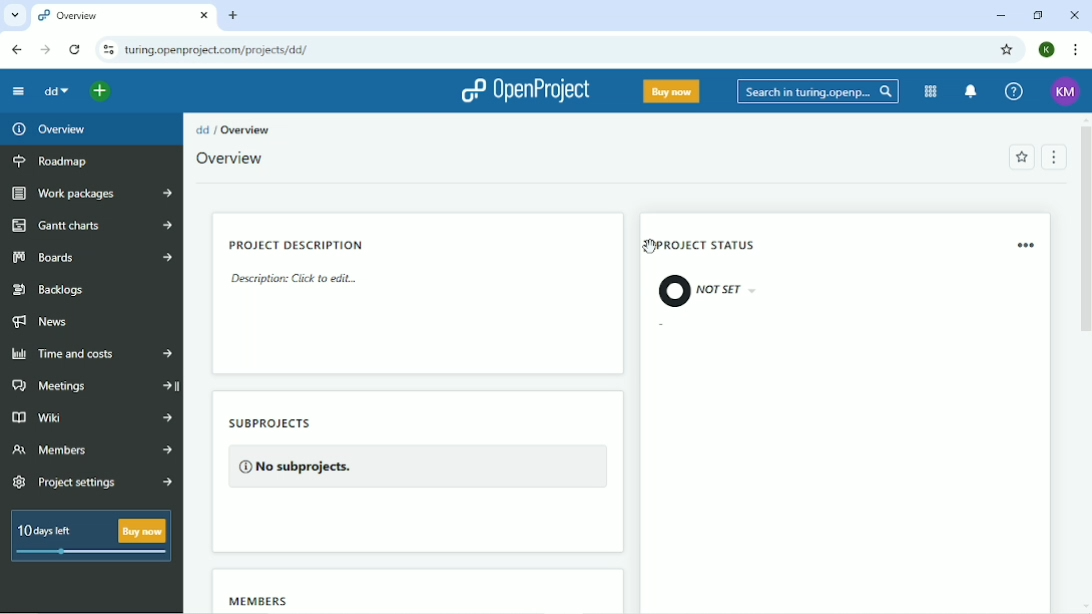 Image resolution: width=1092 pixels, height=614 pixels. Describe the element at coordinates (1002, 15) in the screenshot. I see `Minimize` at that location.